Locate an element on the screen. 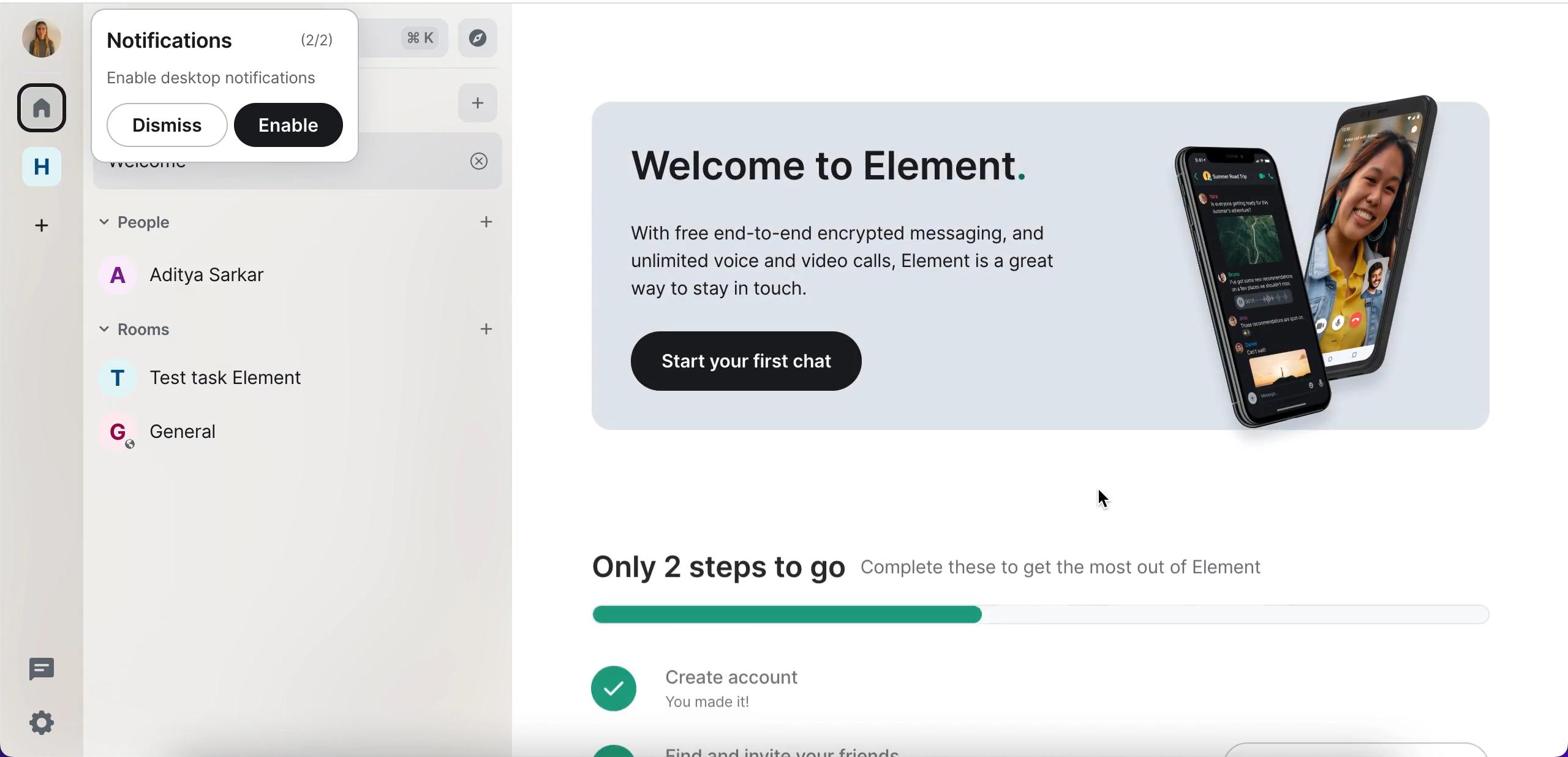 This screenshot has width=1568, height=757. quick settings is located at coordinates (39, 722).